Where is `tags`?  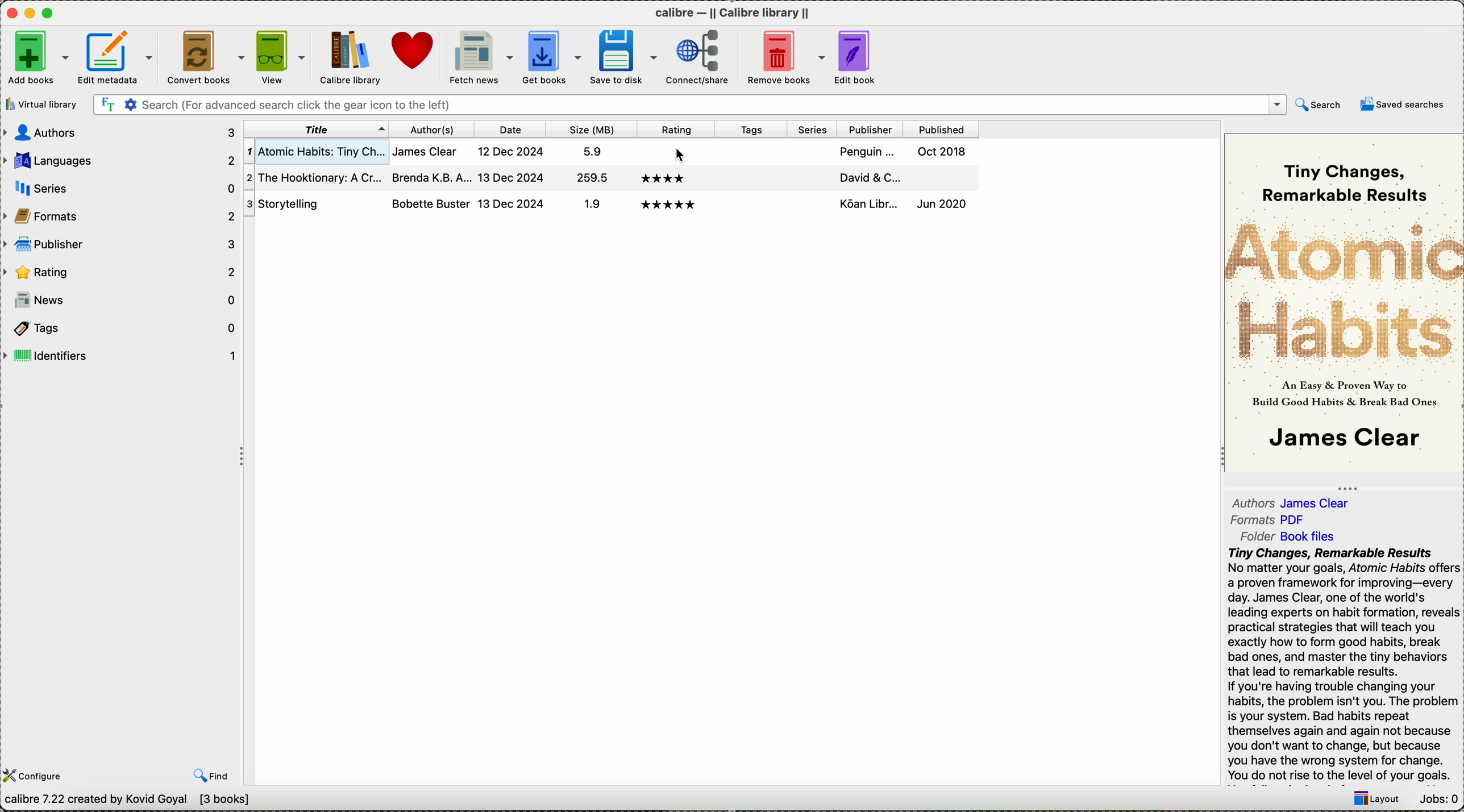 tags is located at coordinates (120, 328).